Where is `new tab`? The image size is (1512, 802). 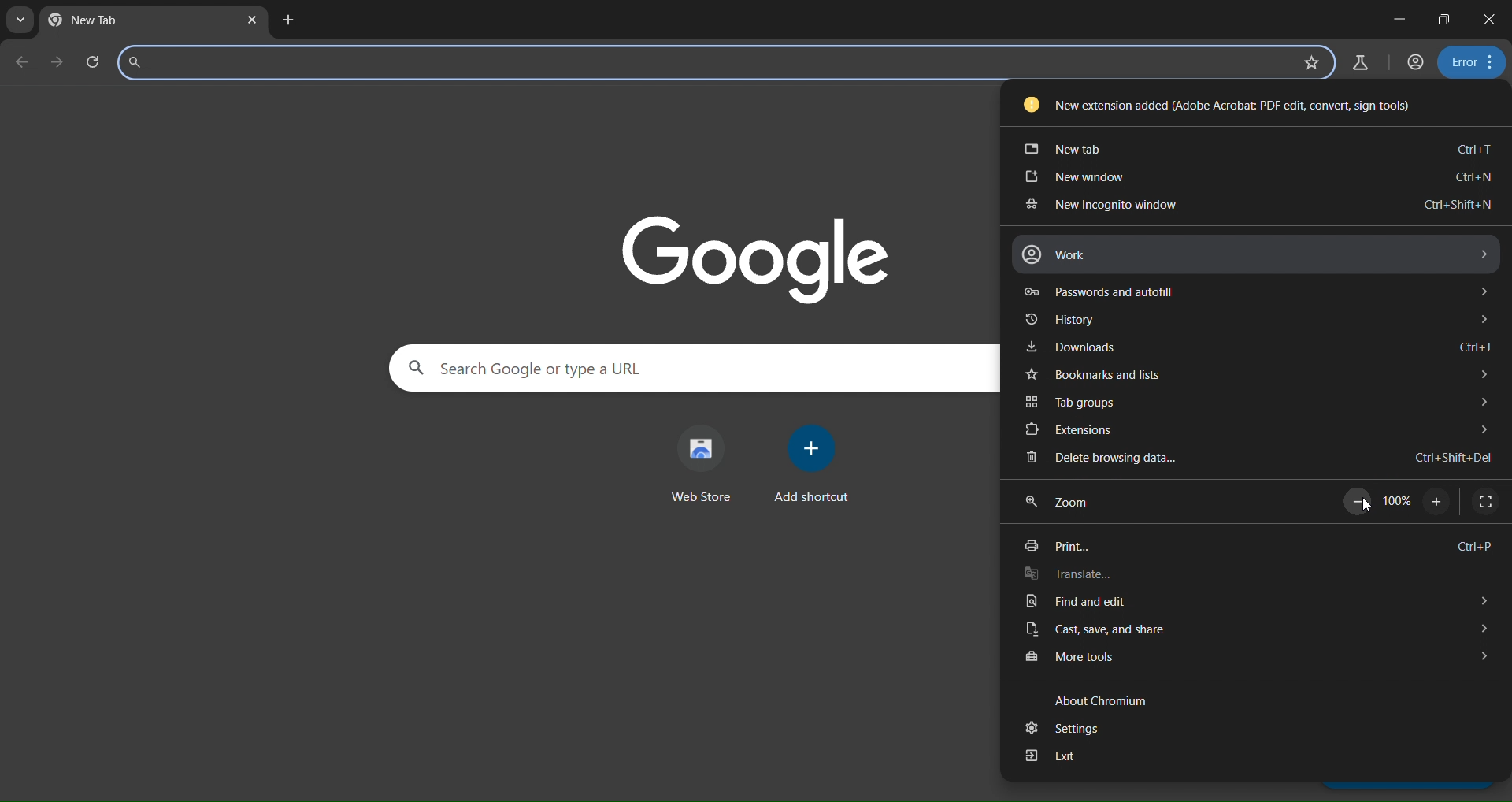 new tab is located at coordinates (1263, 146).